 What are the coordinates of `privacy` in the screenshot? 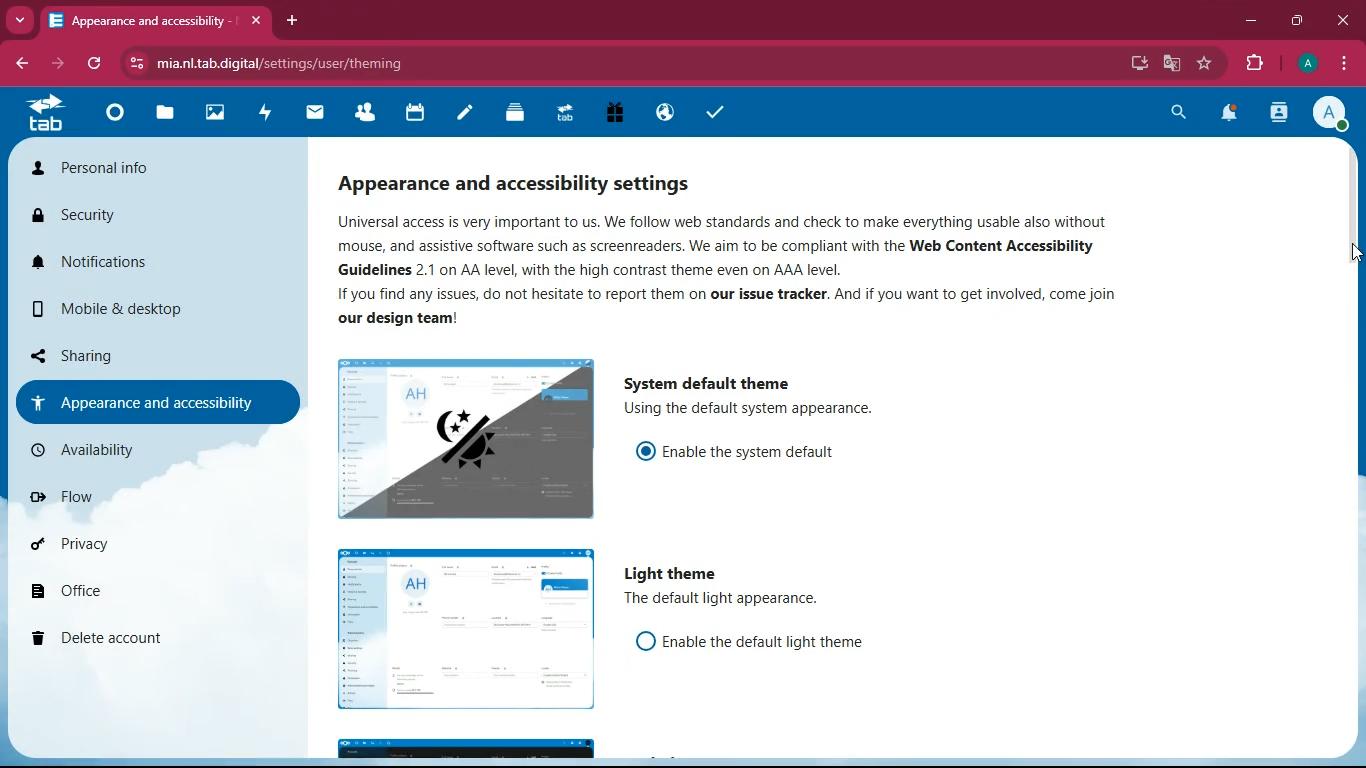 It's located at (110, 543).